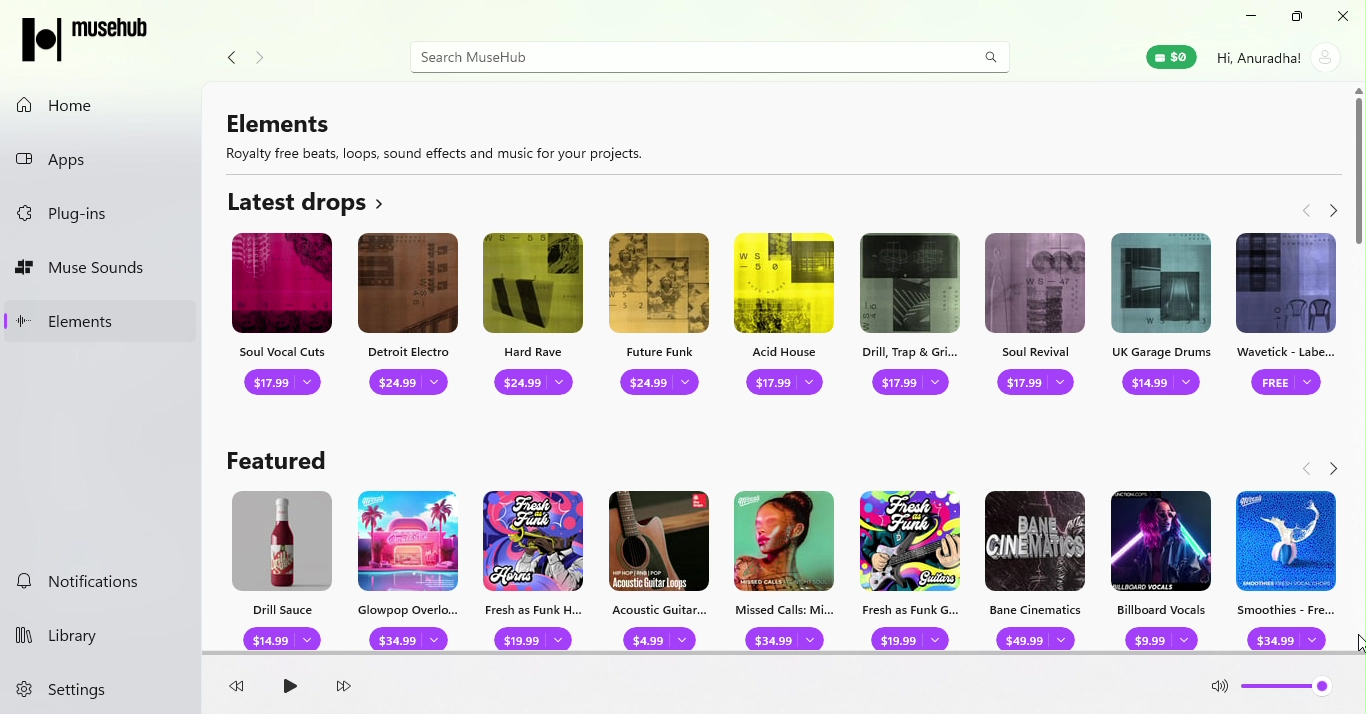 This screenshot has width=1366, height=714. What do you see at coordinates (991, 56) in the screenshot?
I see `search` at bounding box center [991, 56].